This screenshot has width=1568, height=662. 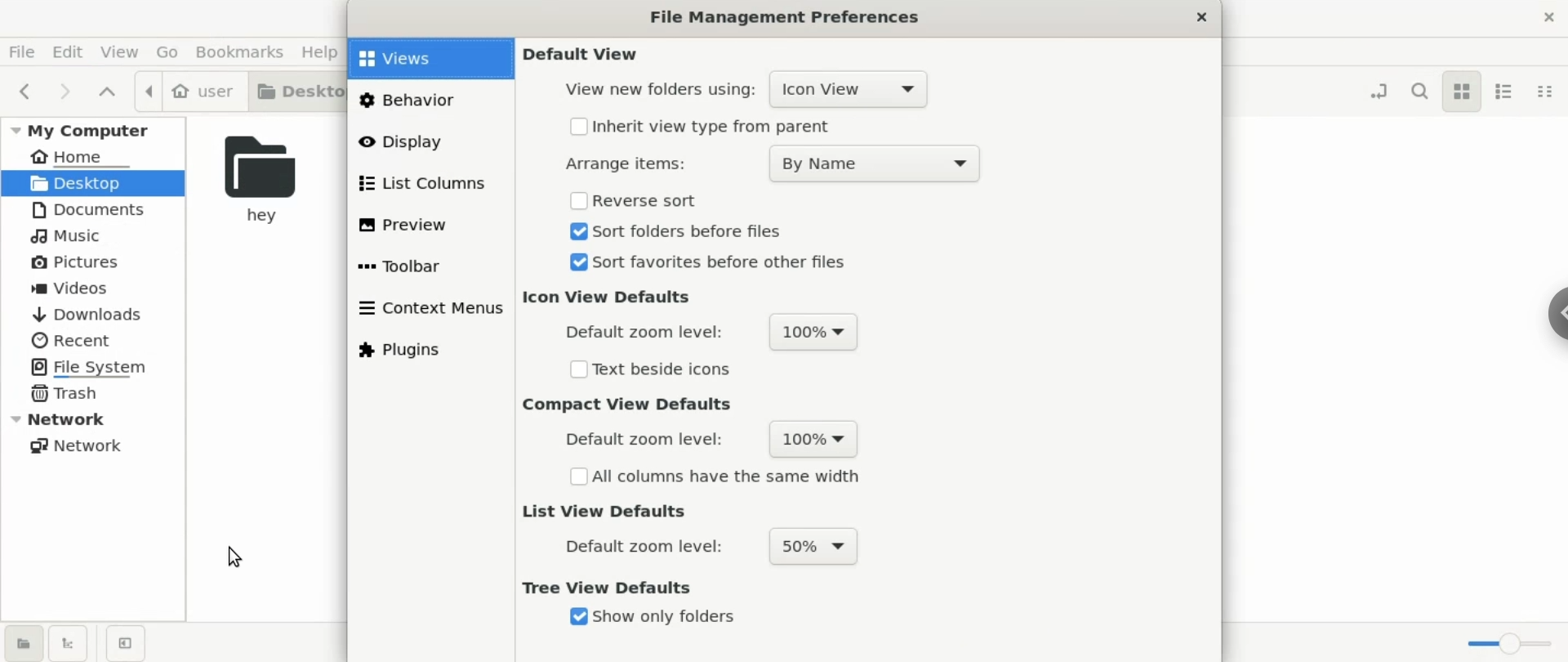 I want to click on go , so click(x=170, y=51).